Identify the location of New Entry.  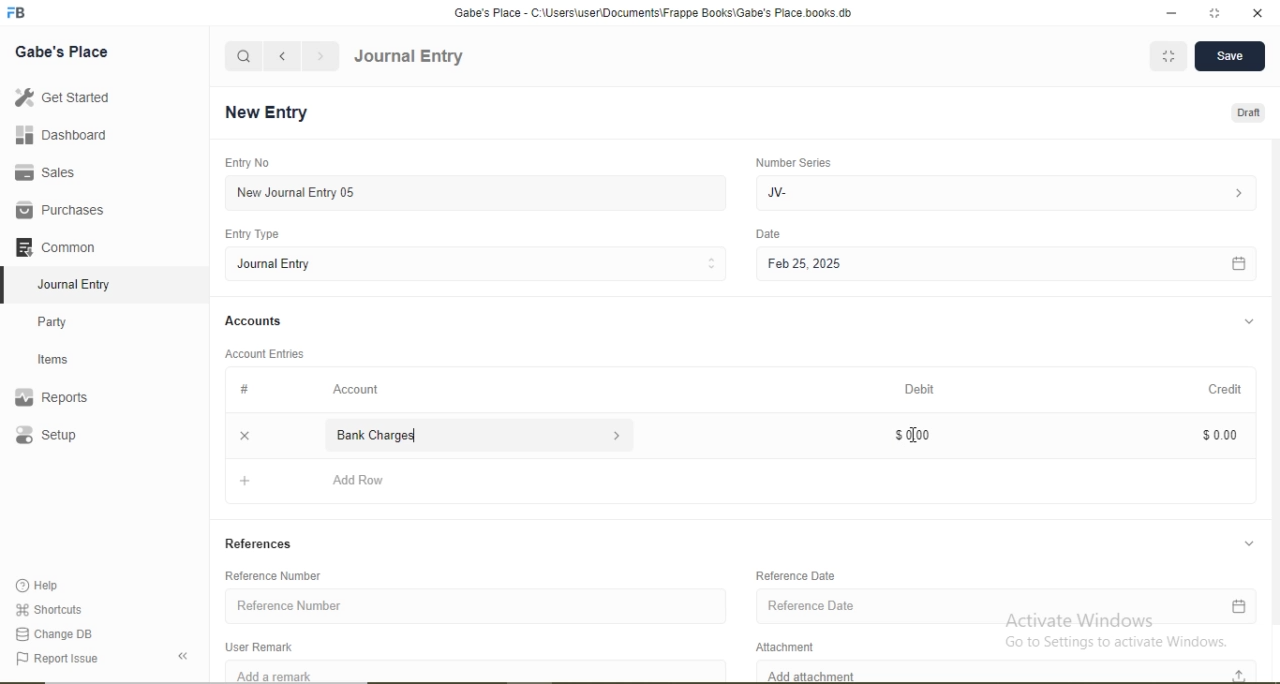
(272, 113).